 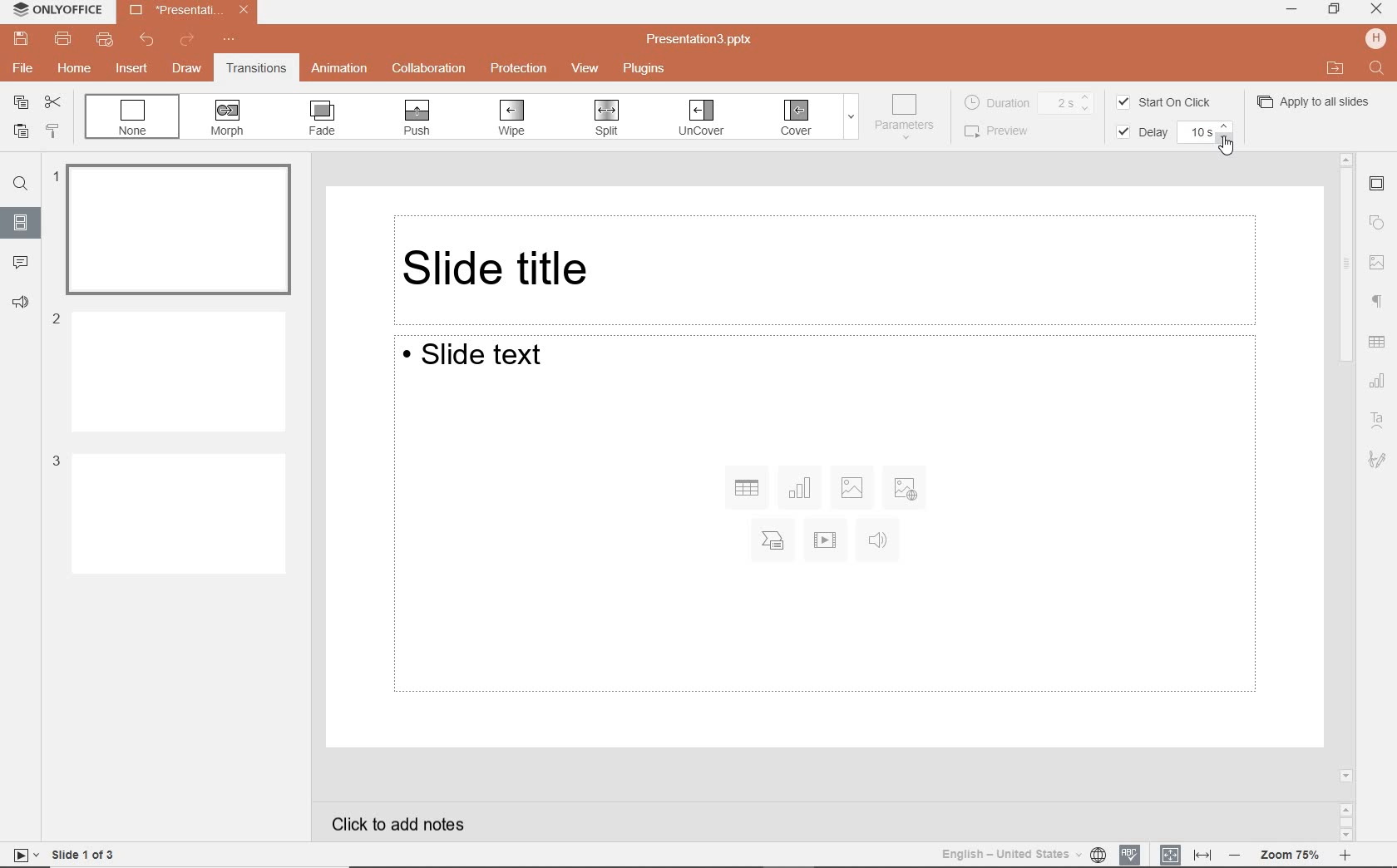 I want to click on slide settings, so click(x=1377, y=185).